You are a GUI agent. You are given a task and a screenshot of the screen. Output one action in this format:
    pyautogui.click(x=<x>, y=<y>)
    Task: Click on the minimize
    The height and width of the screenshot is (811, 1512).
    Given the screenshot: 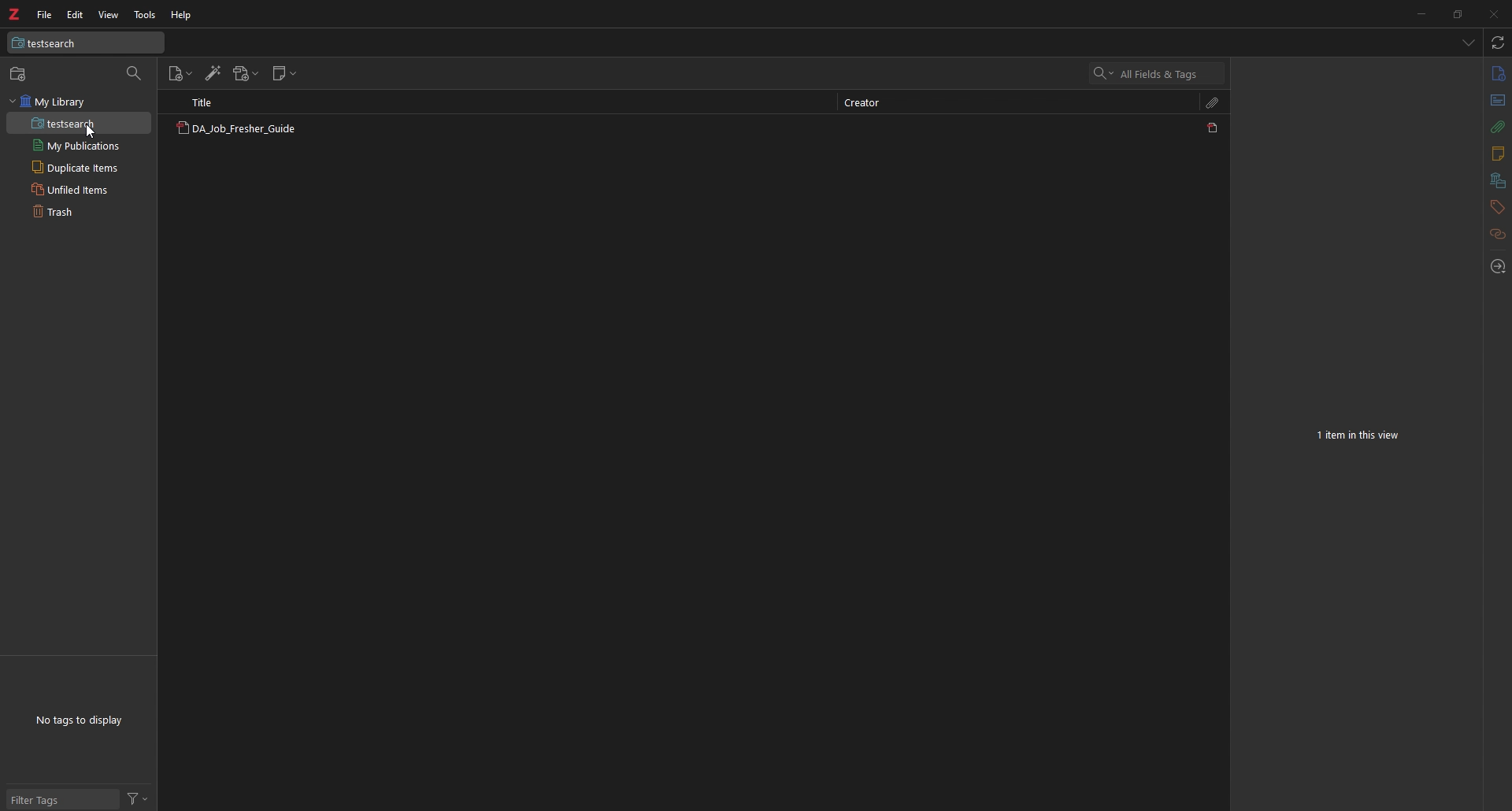 What is the action you would take?
    pyautogui.click(x=1421, y=13)
    